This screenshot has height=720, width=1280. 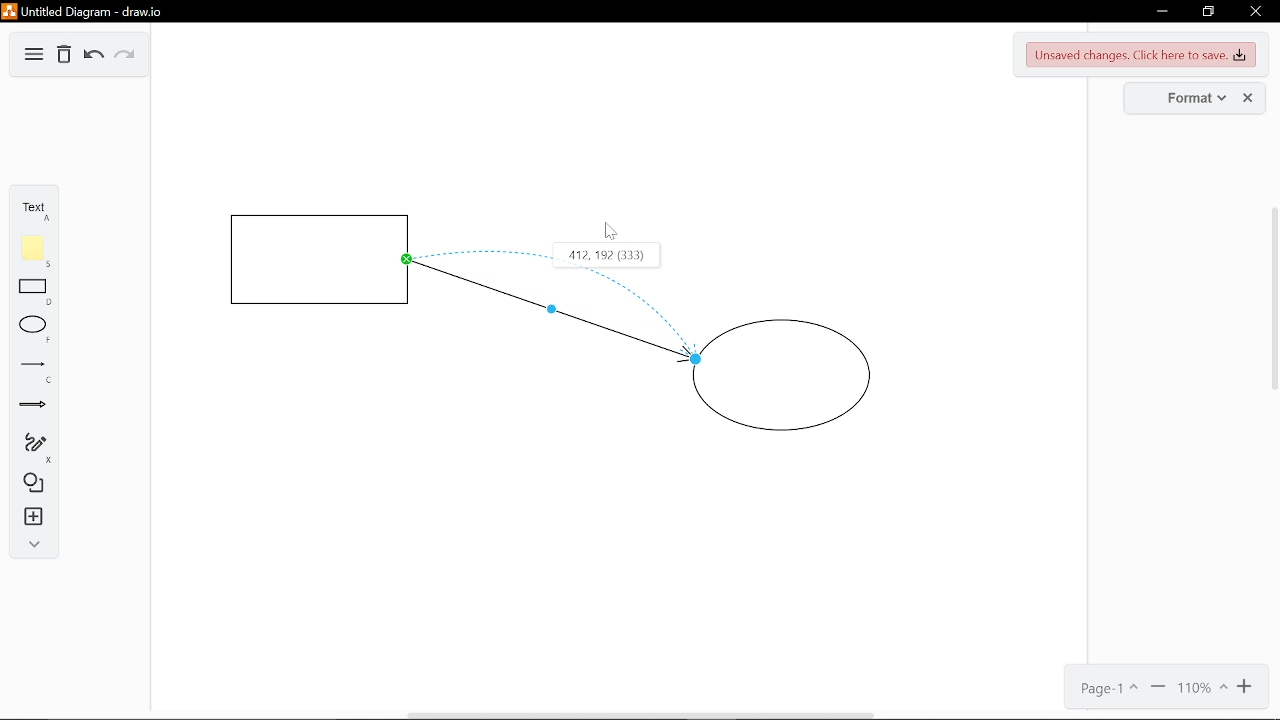 What do you see at coordinates (1257, 10) in the screenshot?
I see `Close` at bounding box center [1257, 10].